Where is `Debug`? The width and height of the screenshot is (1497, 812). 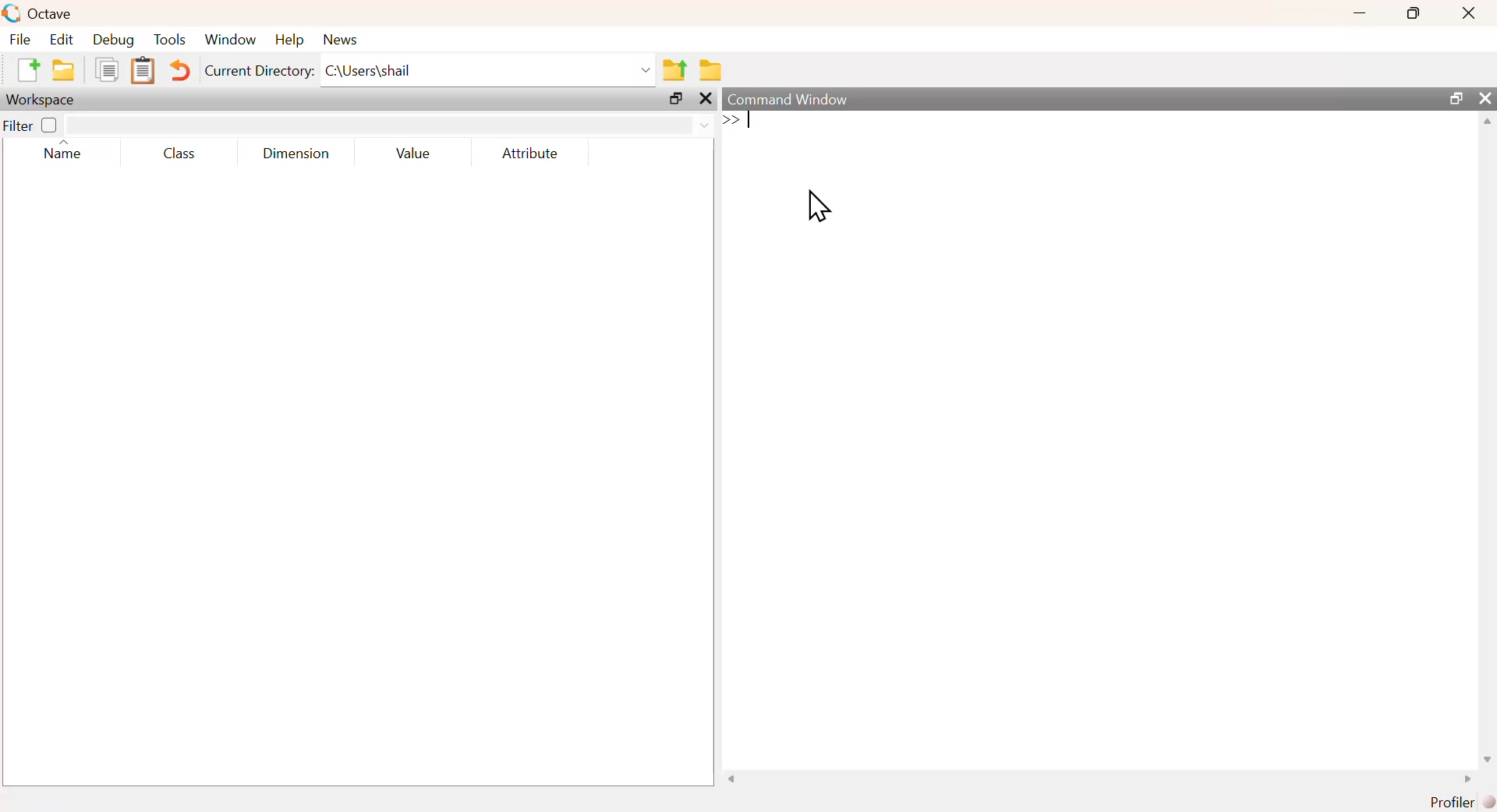 Debug is located at coordinates (113, 40).